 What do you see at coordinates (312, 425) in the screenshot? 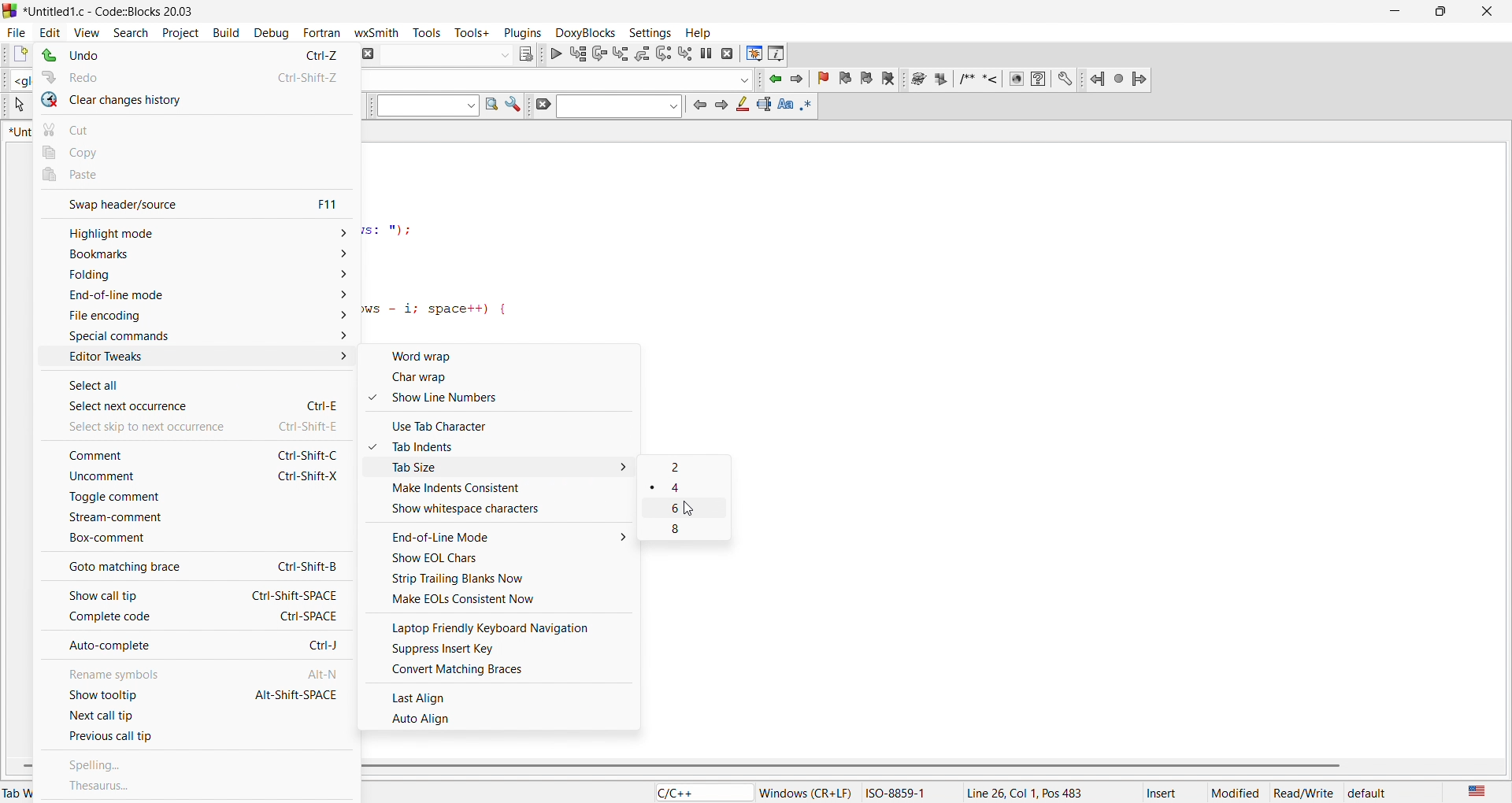
I see `Ctrl-Shift-e` at bounding box center [312, 425].